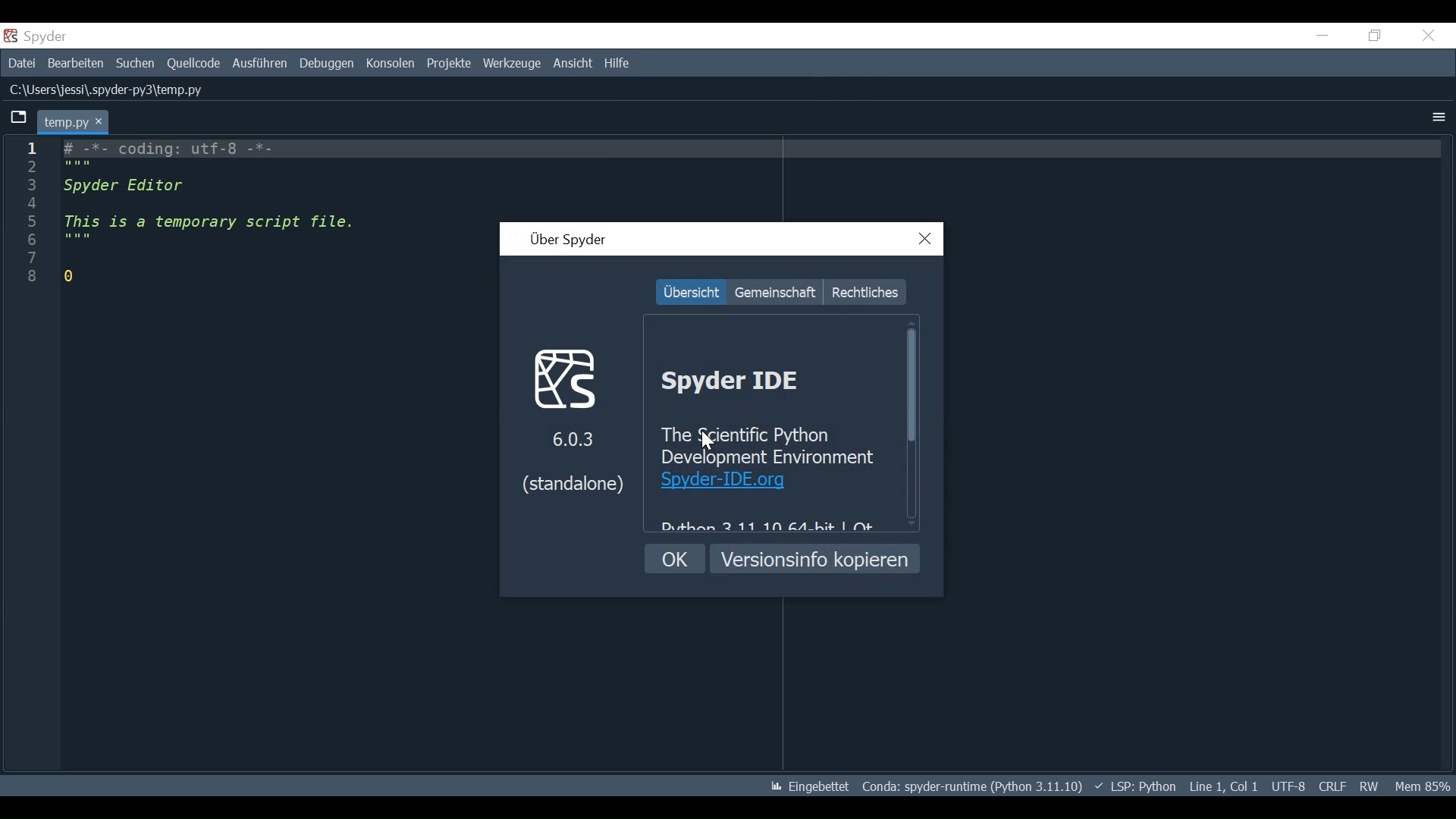 This screenshot has height=819, width=1456. I want to click on Toggle between lintel and interactive Matplotlib, so click(808, 786).